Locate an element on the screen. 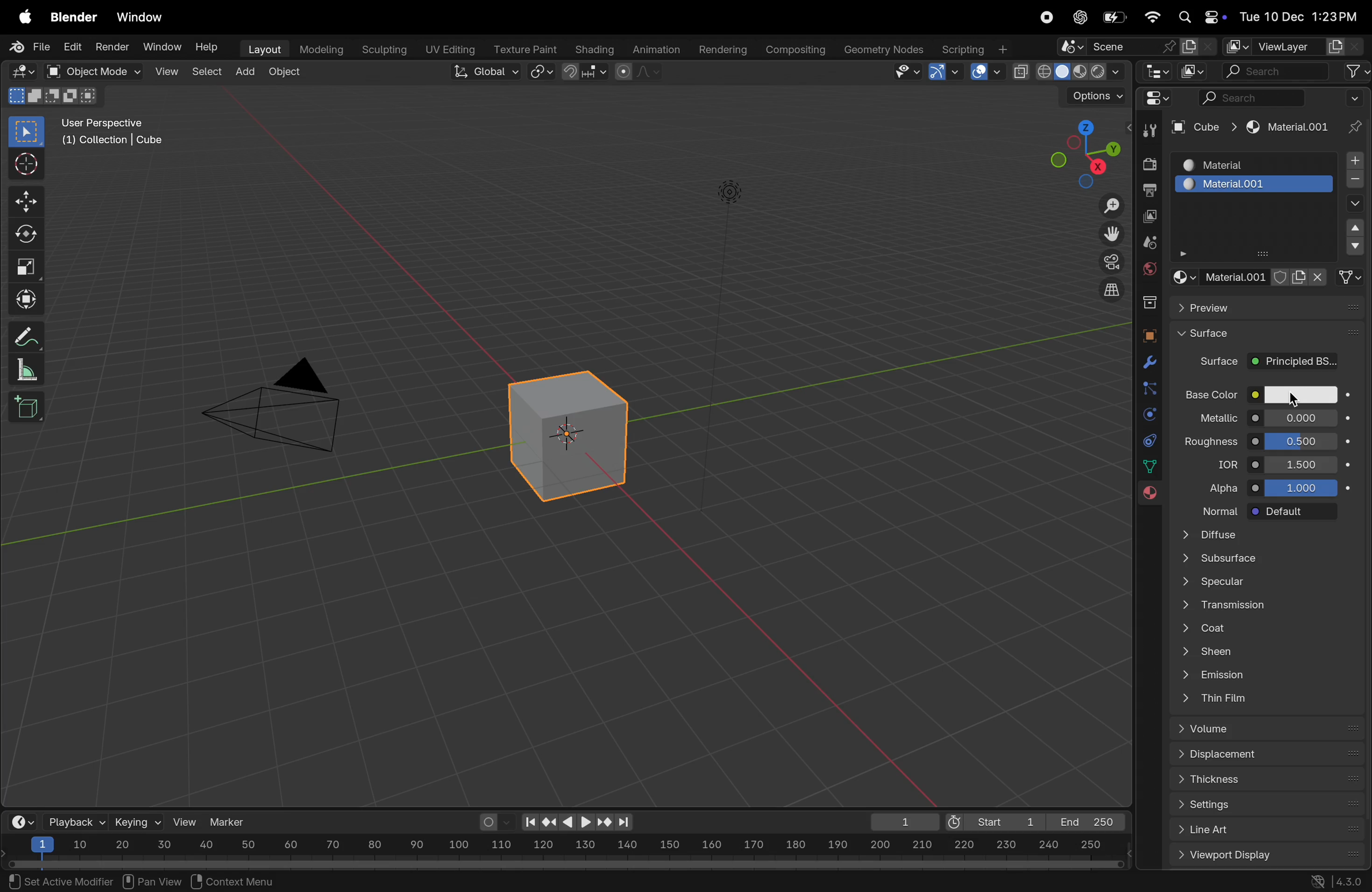 The height and width of the screenshot is (892, 1372). world is located at coordinates (1149, 267).